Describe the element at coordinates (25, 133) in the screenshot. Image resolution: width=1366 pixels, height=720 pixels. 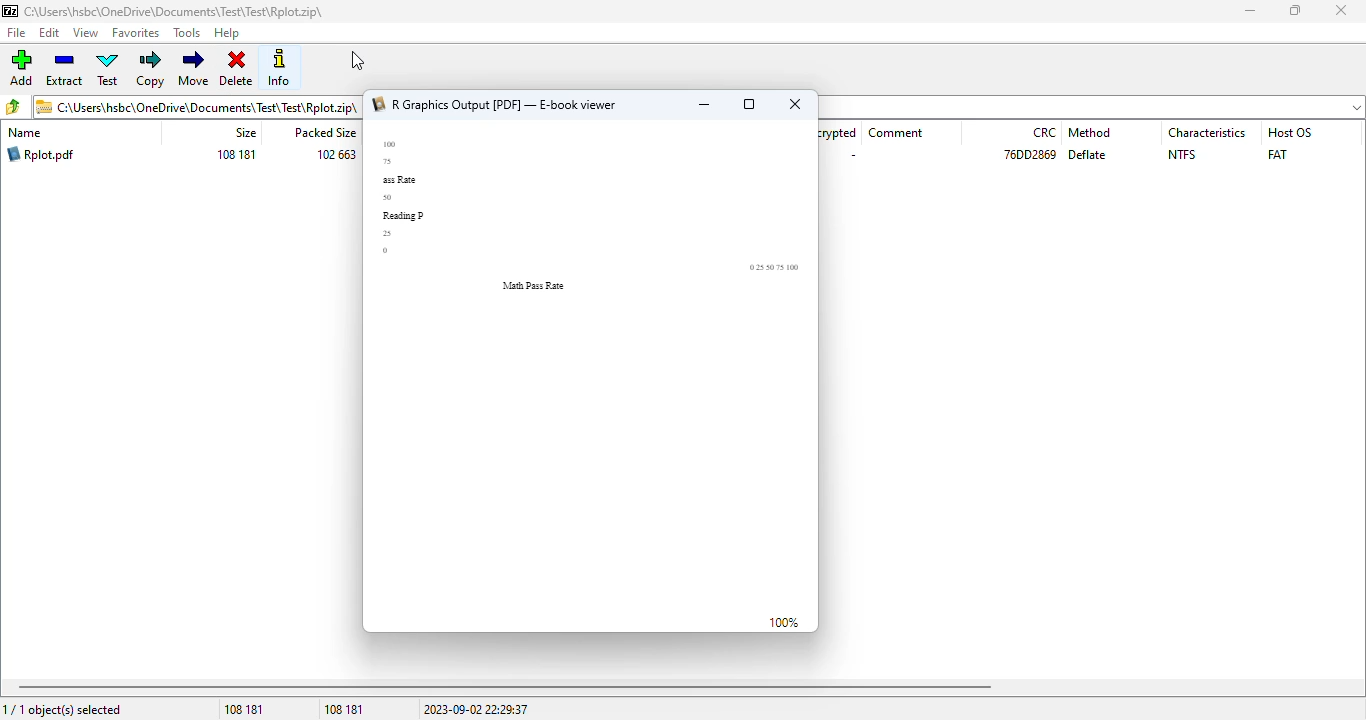
I see `name` at that location.